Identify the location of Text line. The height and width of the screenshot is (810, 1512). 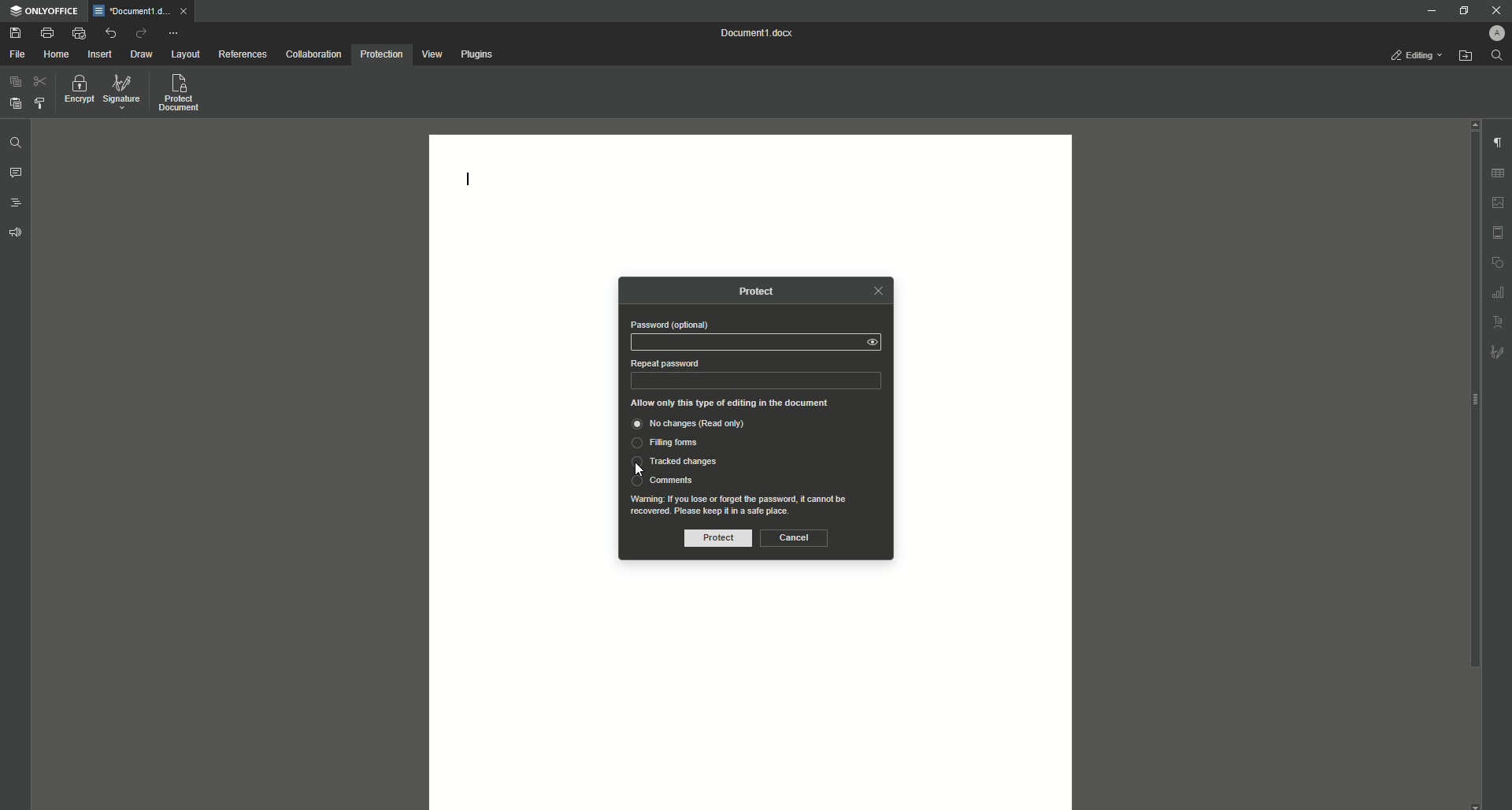
(468, 179).